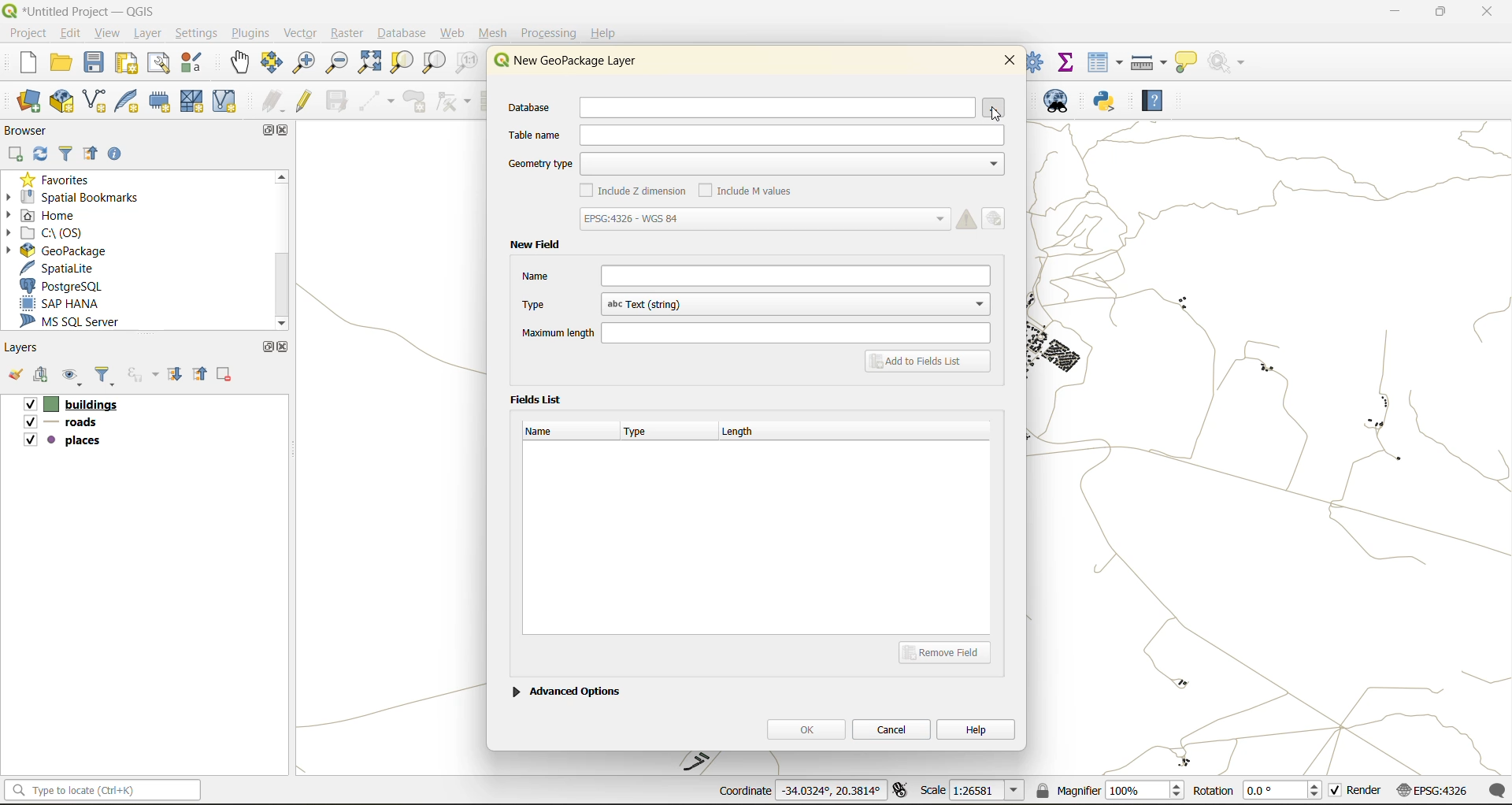 Image resolution: width=1512 pixels, height=805 pixels. What do you see at coordinates (1390, 14) in the screenshot?
I see `minimize` at bounding box center [1390, 14].